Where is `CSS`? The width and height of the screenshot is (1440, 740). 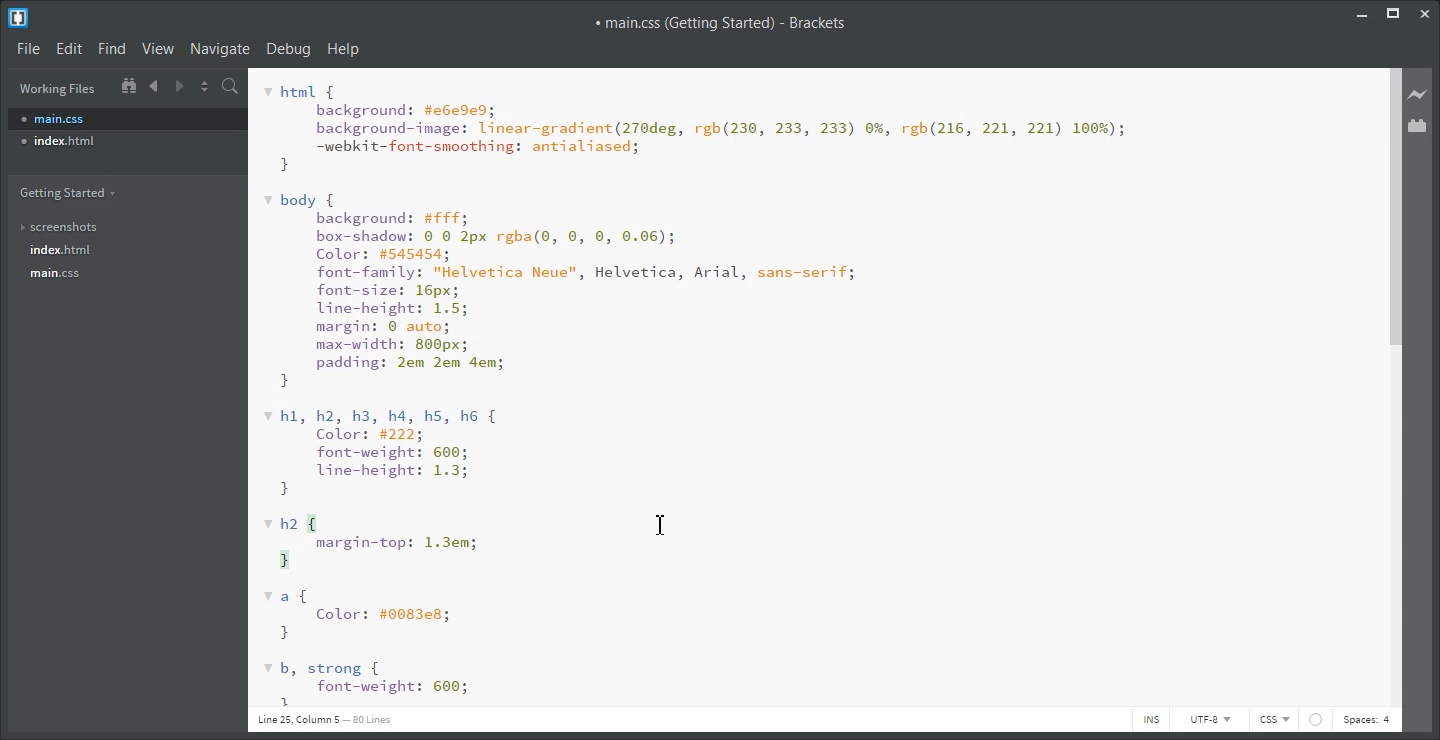 CSS is located at coordinates (1274, 720).